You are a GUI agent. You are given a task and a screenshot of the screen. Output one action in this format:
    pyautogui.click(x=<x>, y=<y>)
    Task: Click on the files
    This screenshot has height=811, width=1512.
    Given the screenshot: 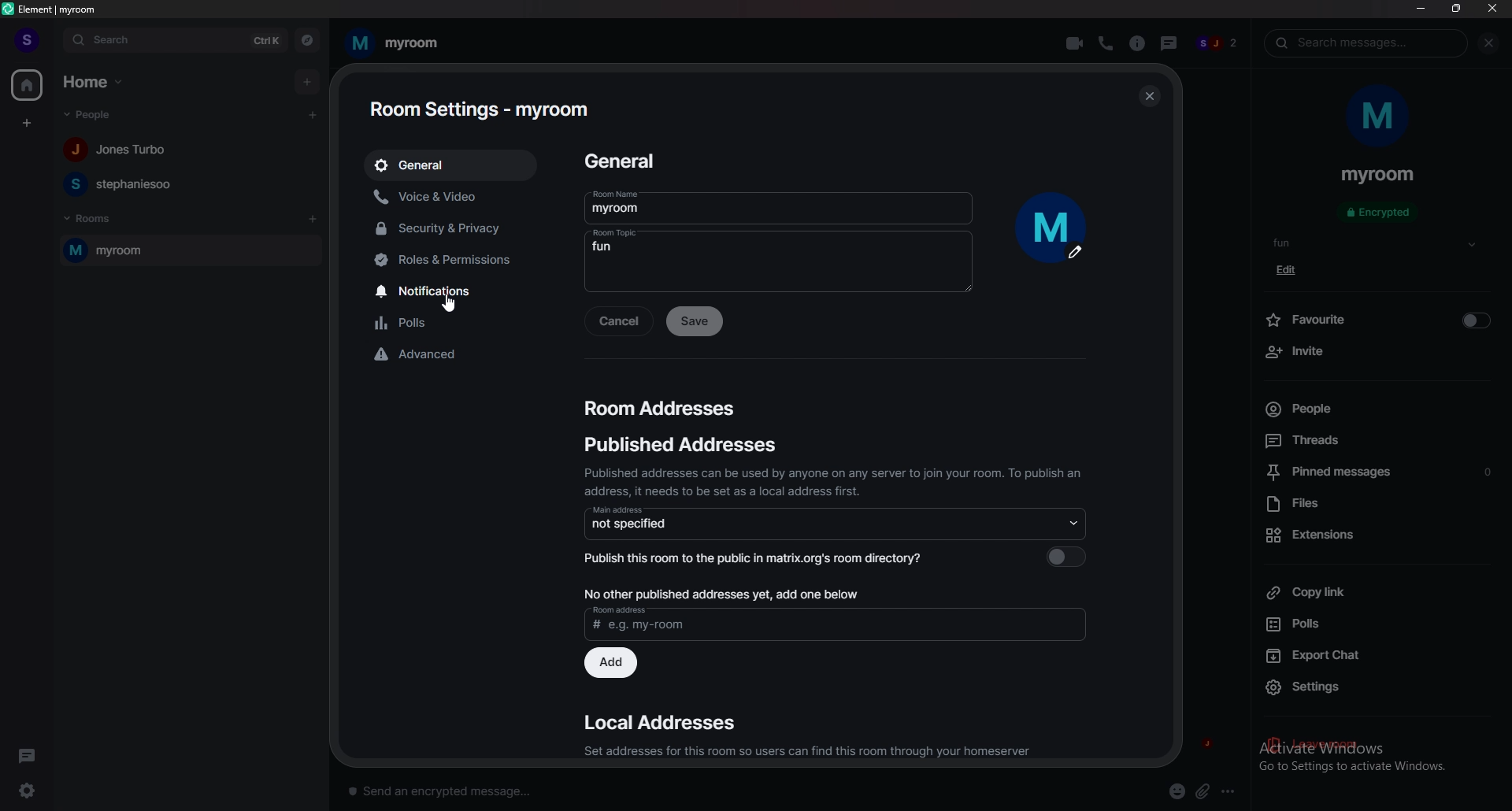 What is the action you would take?
    pyautogui.click(x=1377, y=505)
    